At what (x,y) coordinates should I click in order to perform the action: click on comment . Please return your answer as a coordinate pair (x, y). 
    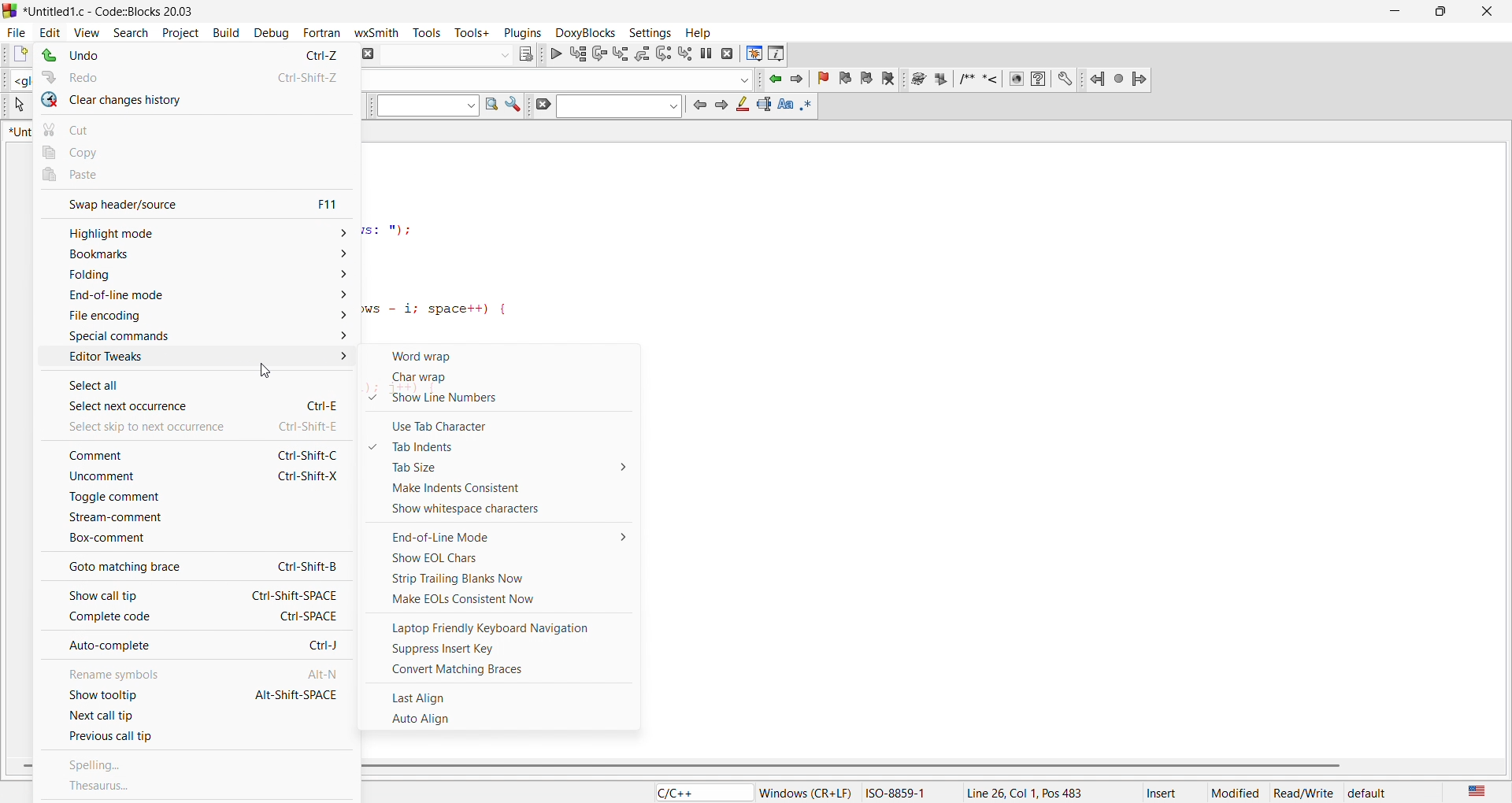
    Looking at the image, I should click on (103, 454).